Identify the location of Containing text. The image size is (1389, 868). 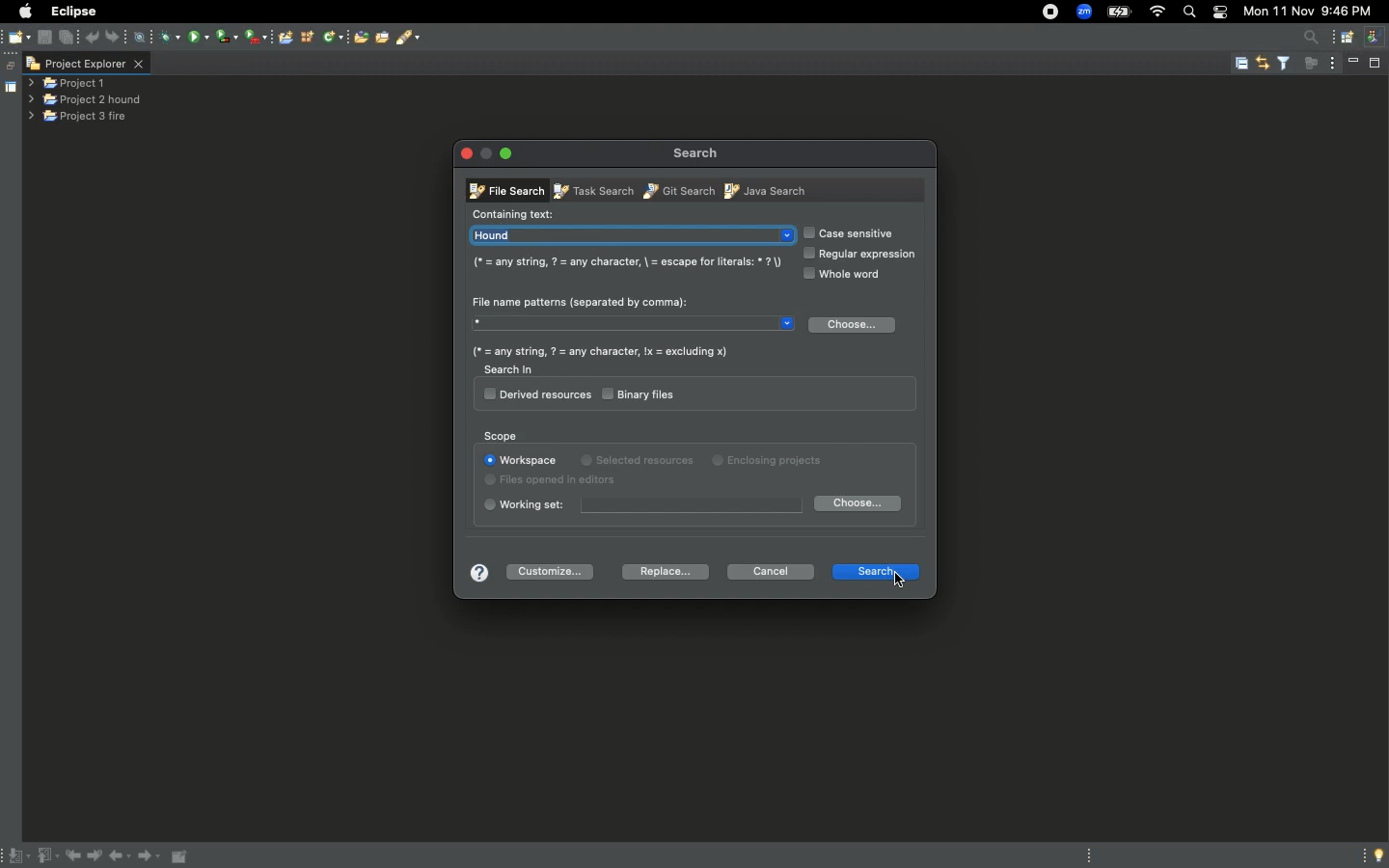
(517, 212).